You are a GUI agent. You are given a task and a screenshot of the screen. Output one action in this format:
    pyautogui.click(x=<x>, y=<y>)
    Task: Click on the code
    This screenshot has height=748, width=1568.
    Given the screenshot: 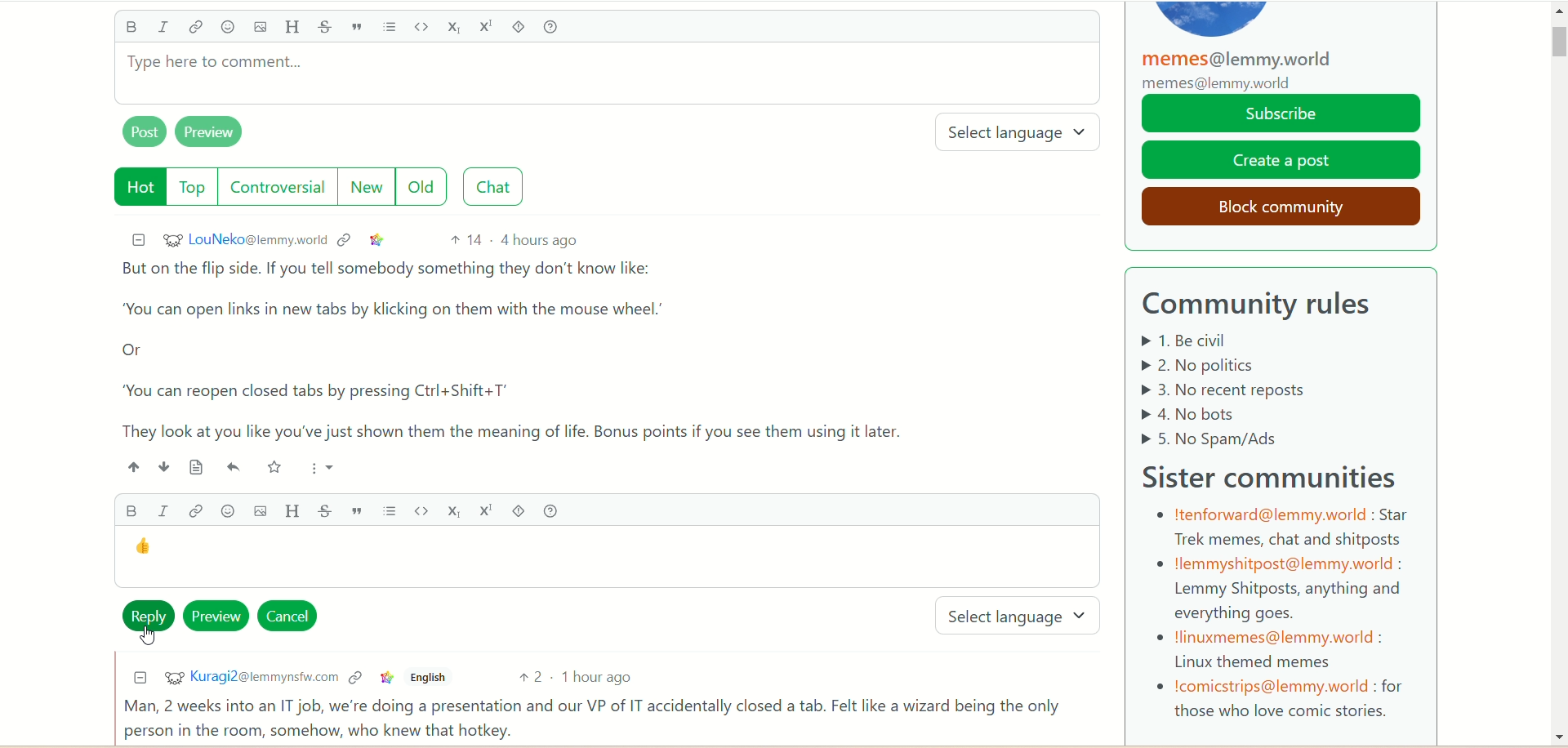 What is the action you would take?
    pyautogui.click(x=421, y=512)
    